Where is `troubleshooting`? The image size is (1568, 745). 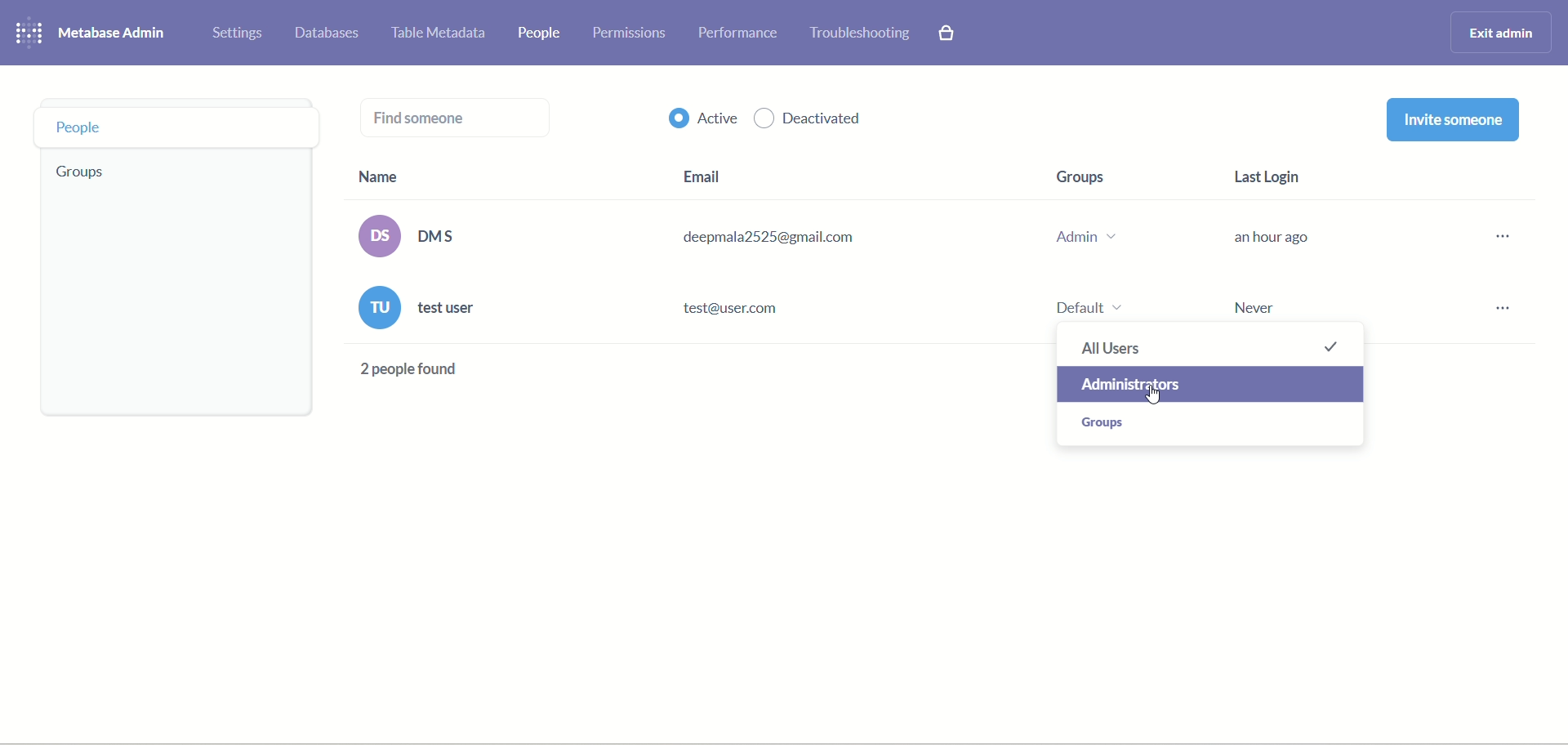
troubleshooting is located at coordinates (862, 32).